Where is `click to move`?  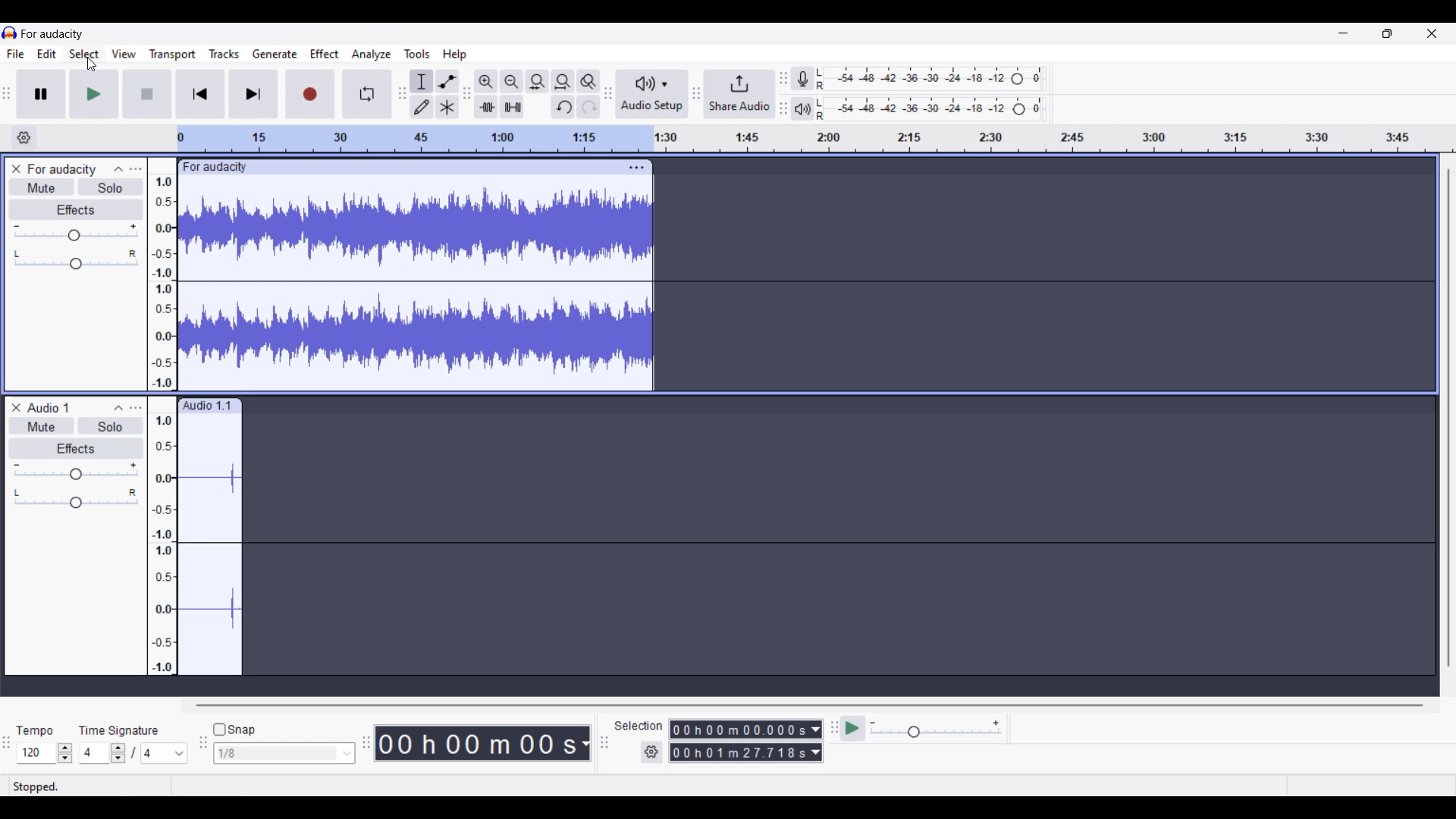
click to move is located at coordinates (436, 168).